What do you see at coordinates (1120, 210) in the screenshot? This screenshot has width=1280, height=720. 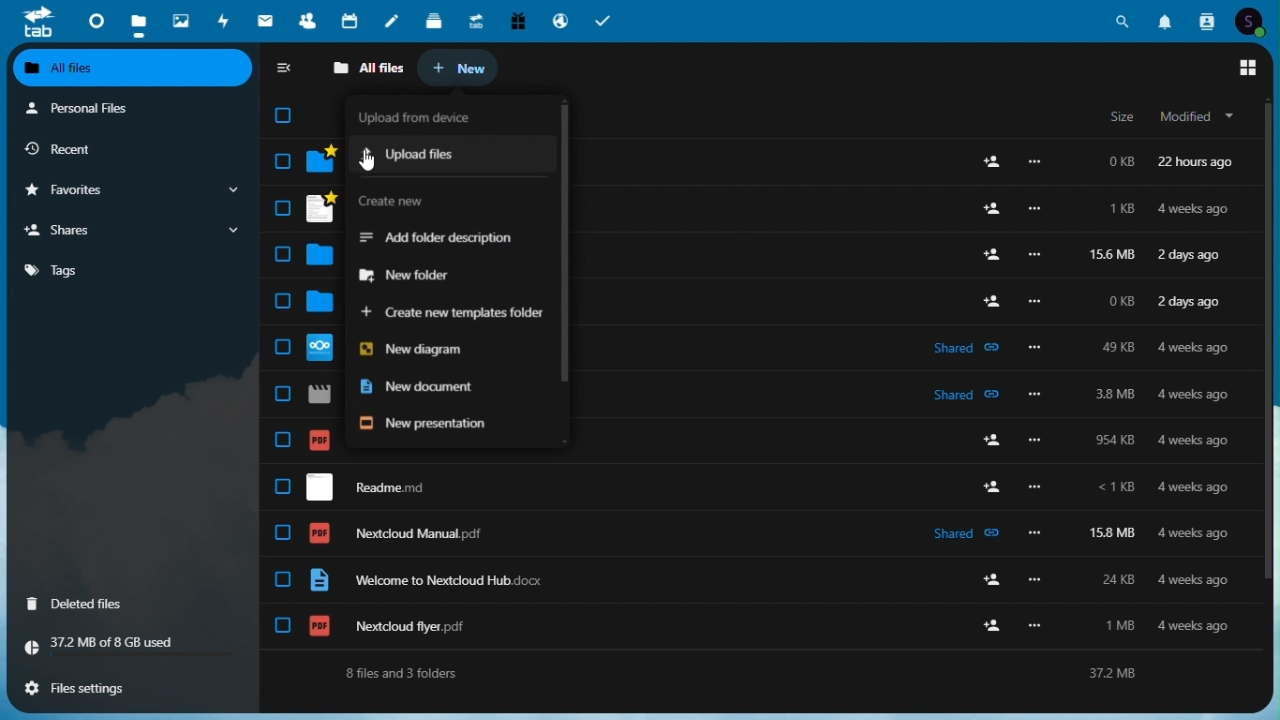 I see `1kb` at bounding box center [1120, 210].